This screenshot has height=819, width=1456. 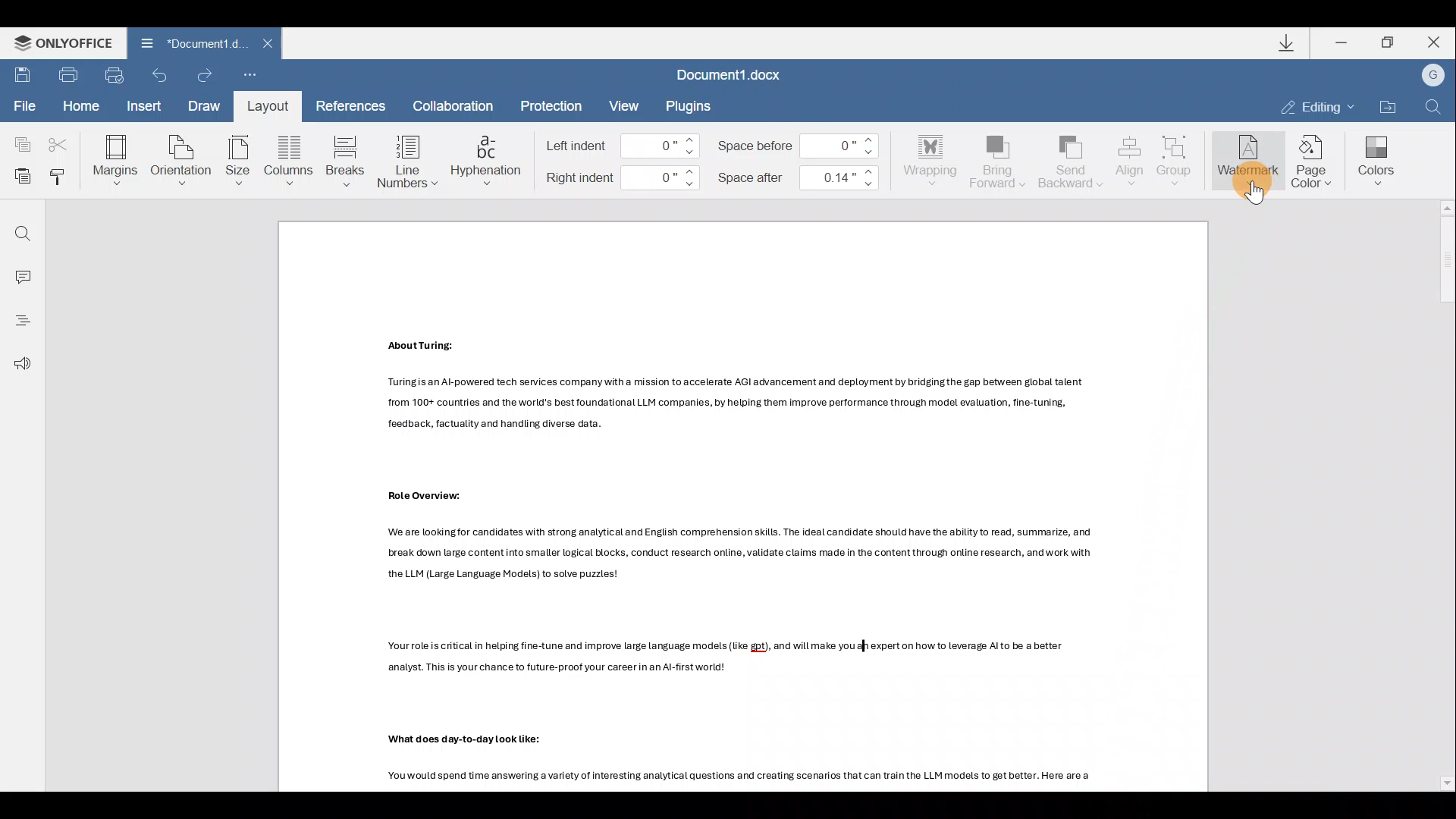 I want to click on Minimize, so click(x=1342, y=42).